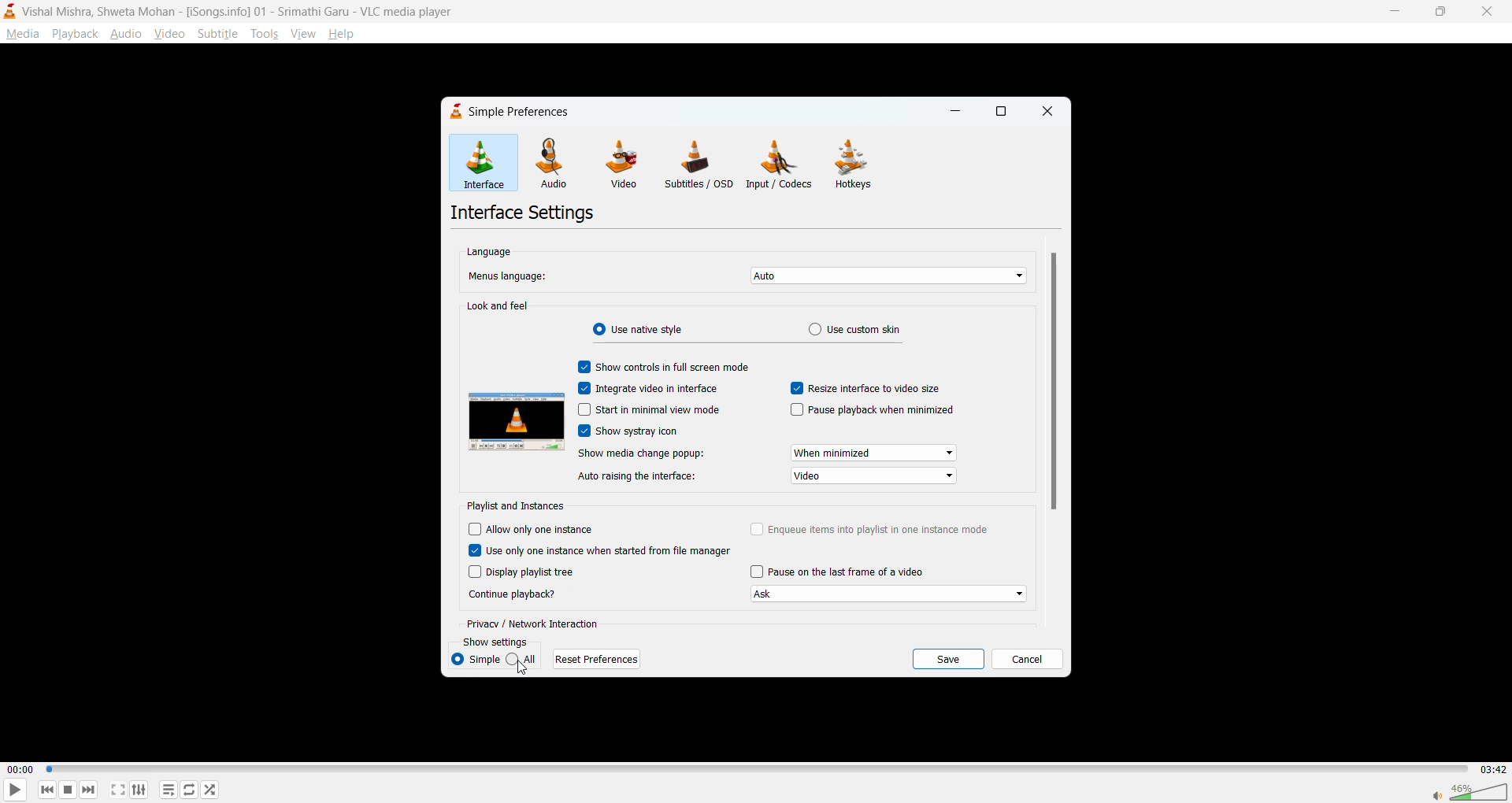 This screenshot has width=1512, height=803. What do you see at coordinates (853, 329) in the screenshot?
I see `use custom skin` at bounding box center [853, 329].